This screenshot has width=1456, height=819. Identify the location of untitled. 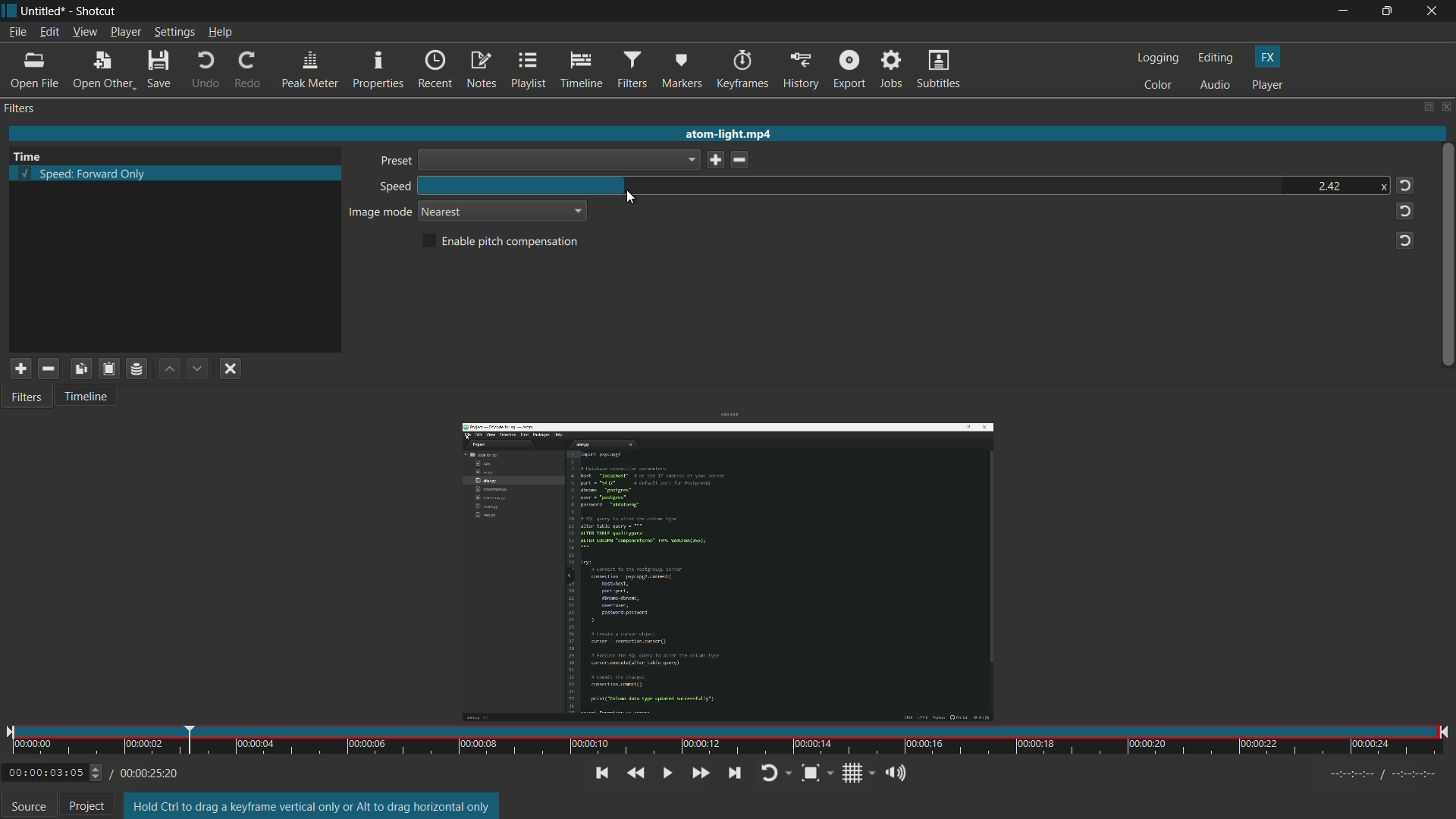
(44, 10).